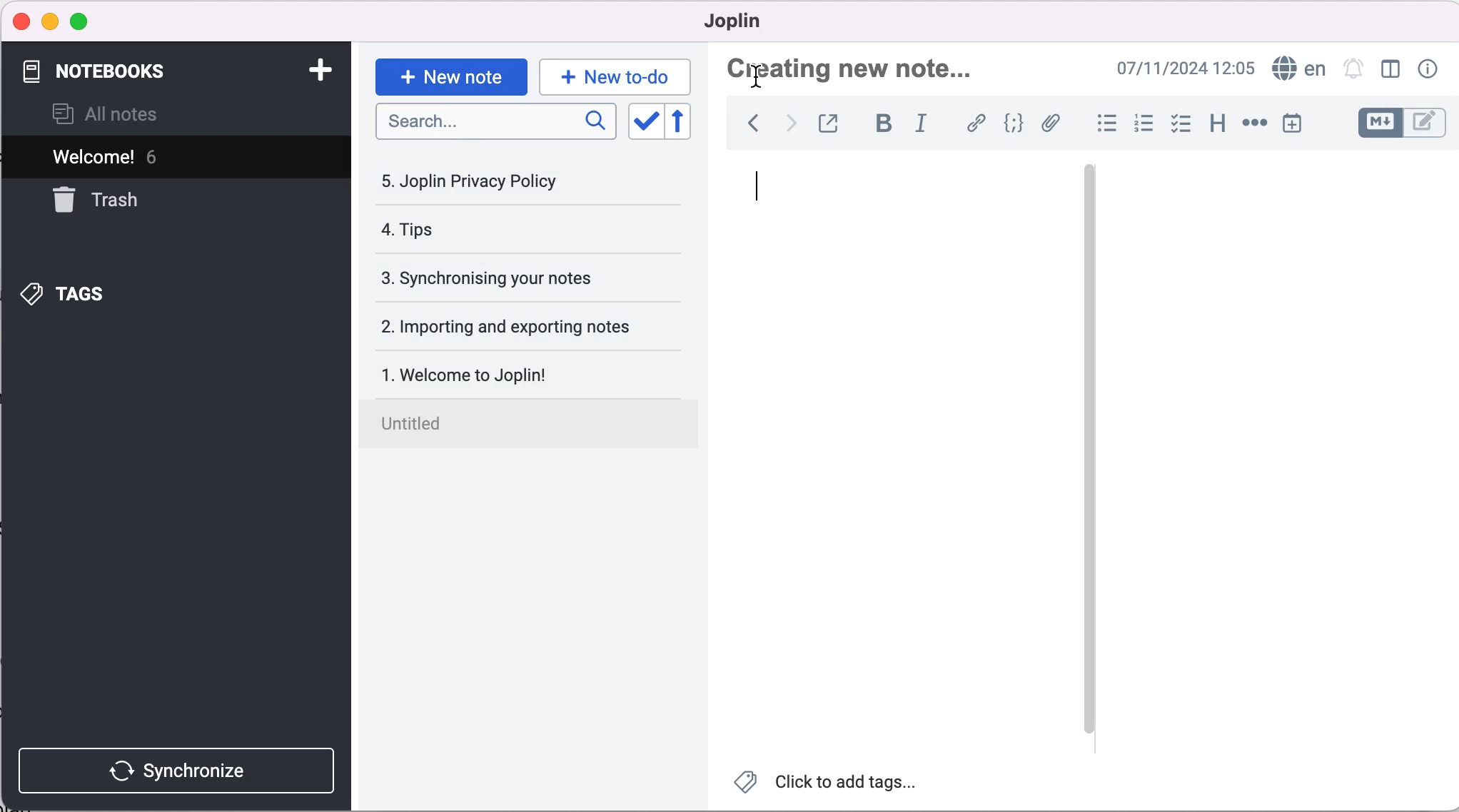 The height and width of the screenshot is (812, 1459). Describe the element at coordinates (760, 77) in the screenshot. I see `Cursor` at that location.